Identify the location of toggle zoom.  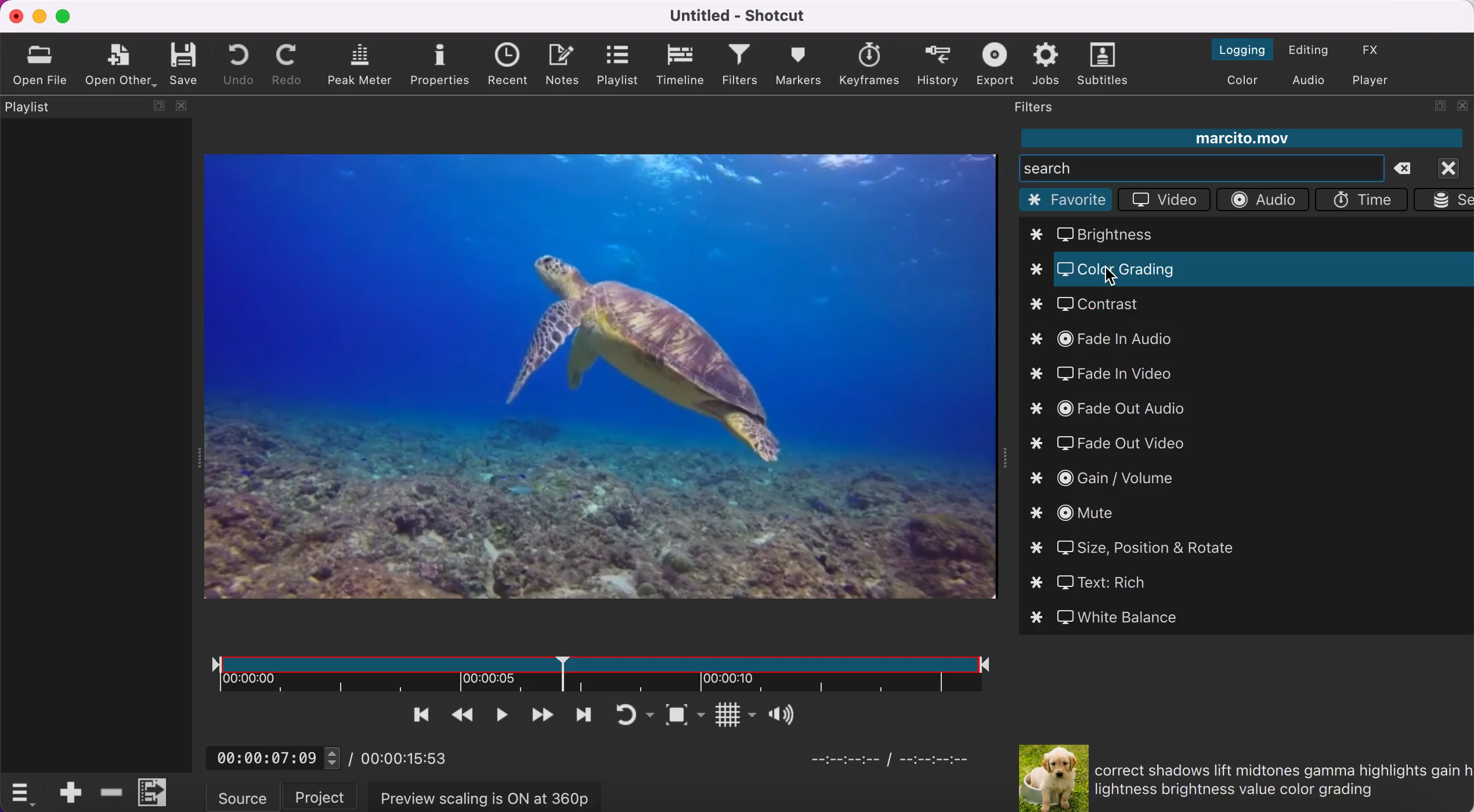
(663, 715).